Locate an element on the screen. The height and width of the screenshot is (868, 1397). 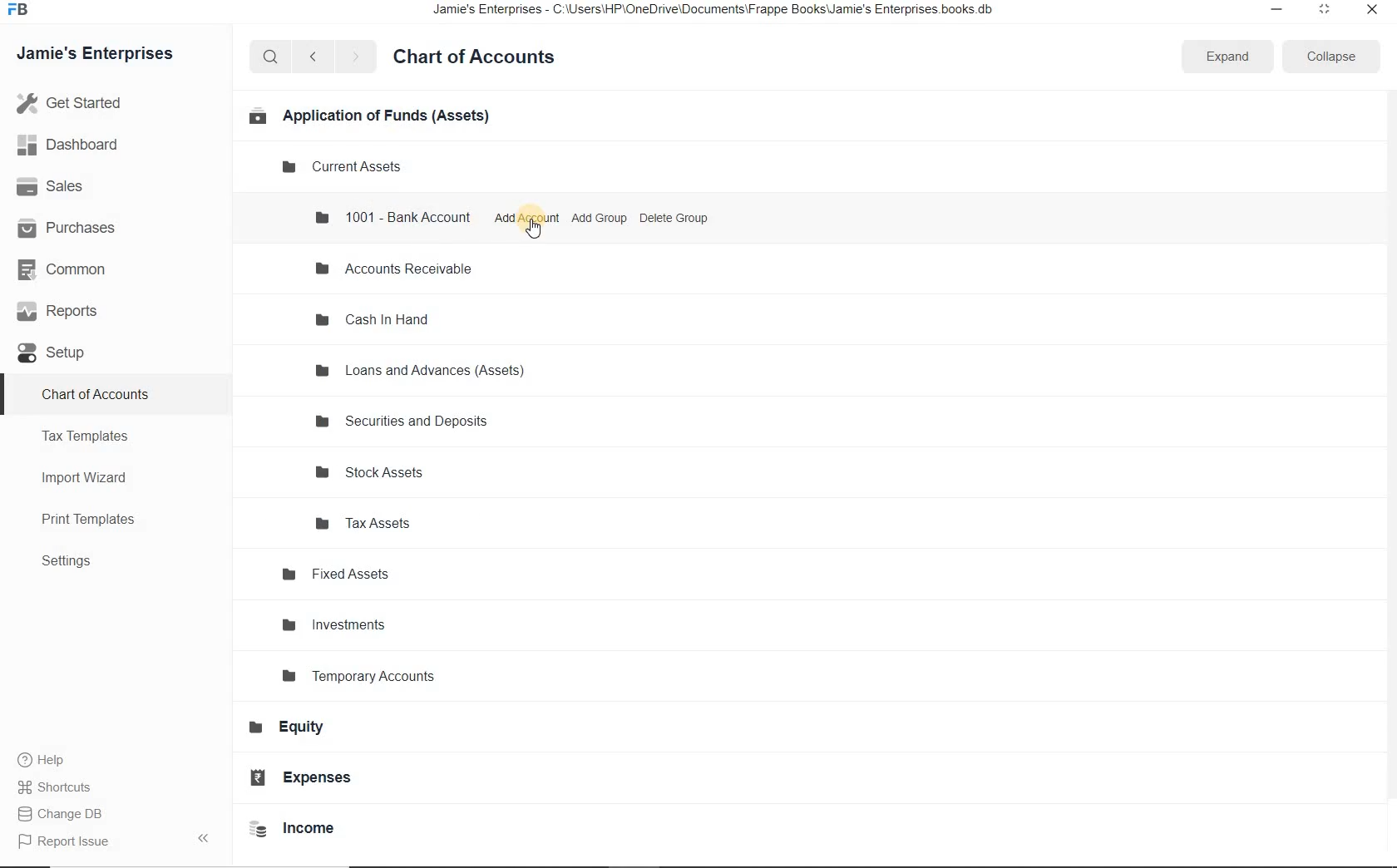
Chart of Accounts is located at coordinates (98, 393).